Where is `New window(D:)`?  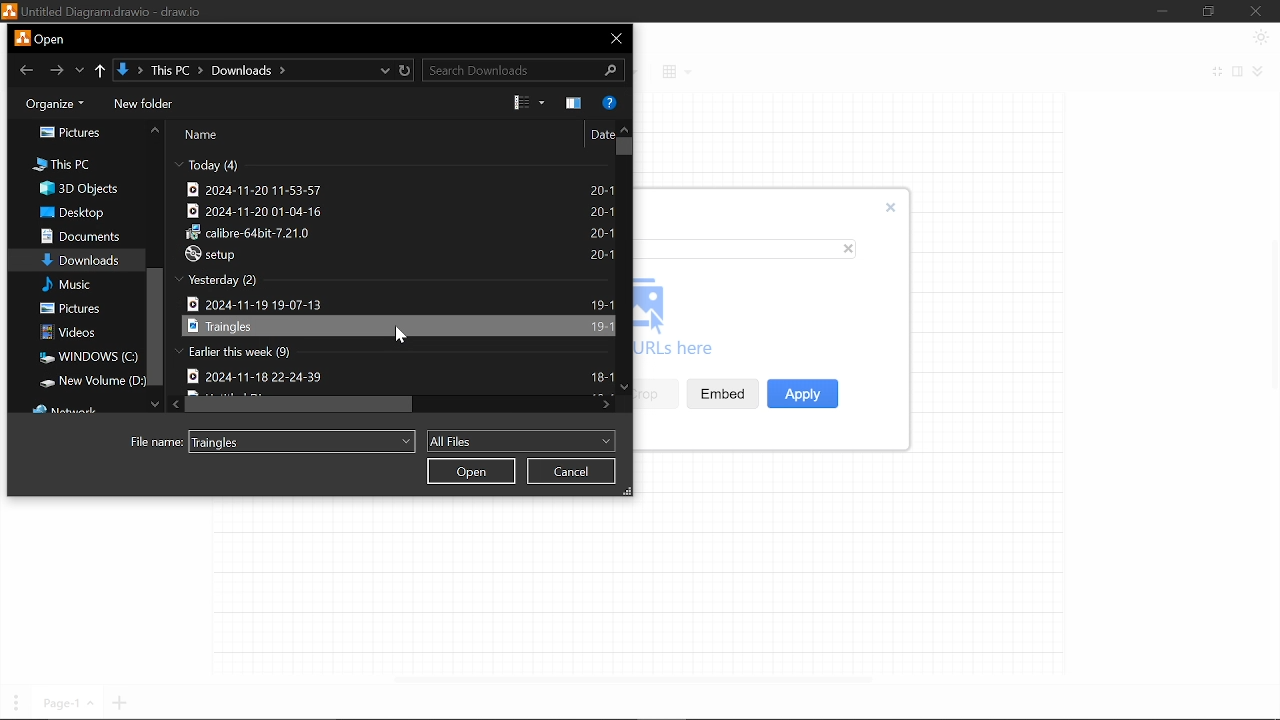 New window(D:) is located at coordinates (86, 381).